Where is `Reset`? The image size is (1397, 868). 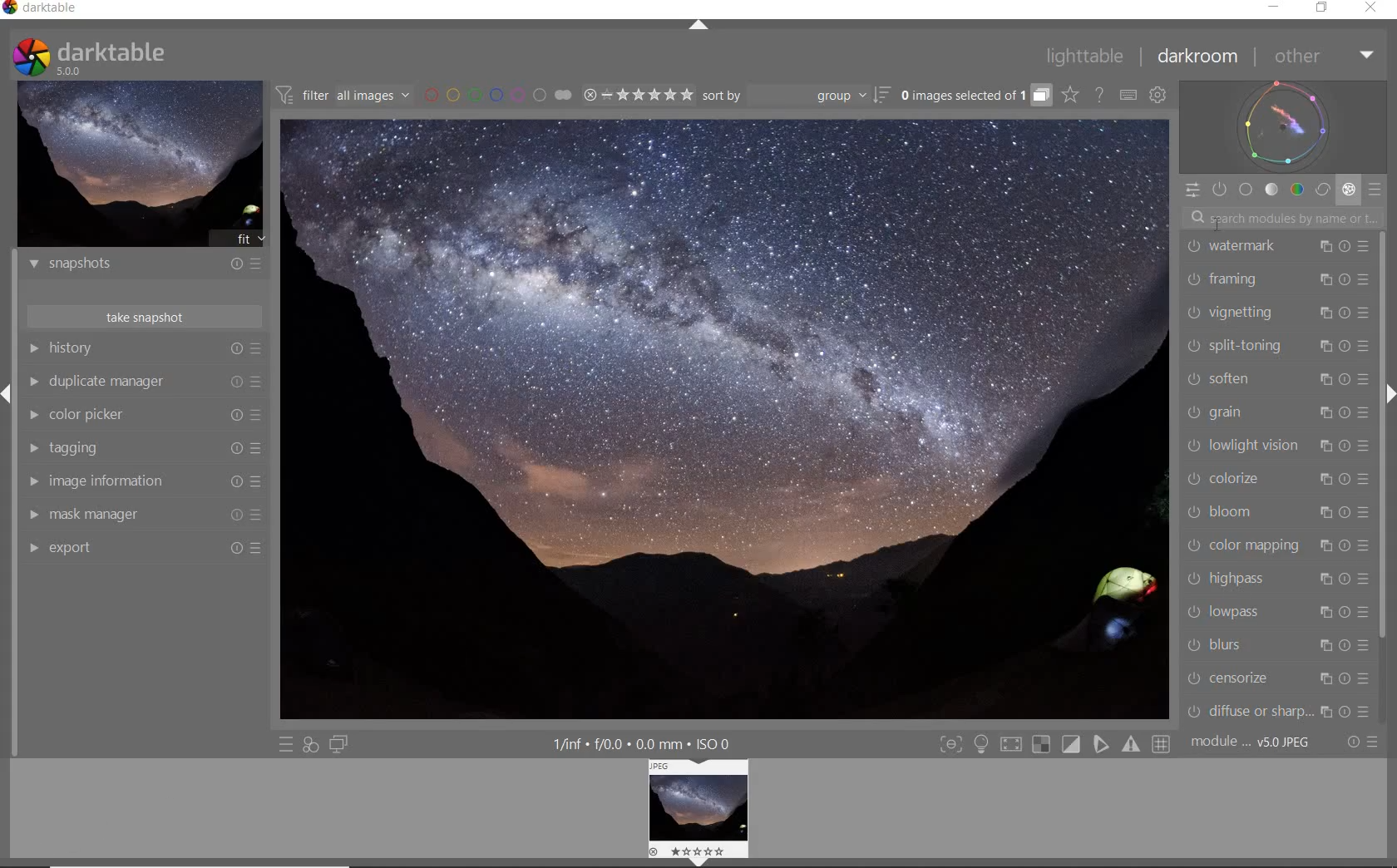 Reset is located at coordinates (259, 547).